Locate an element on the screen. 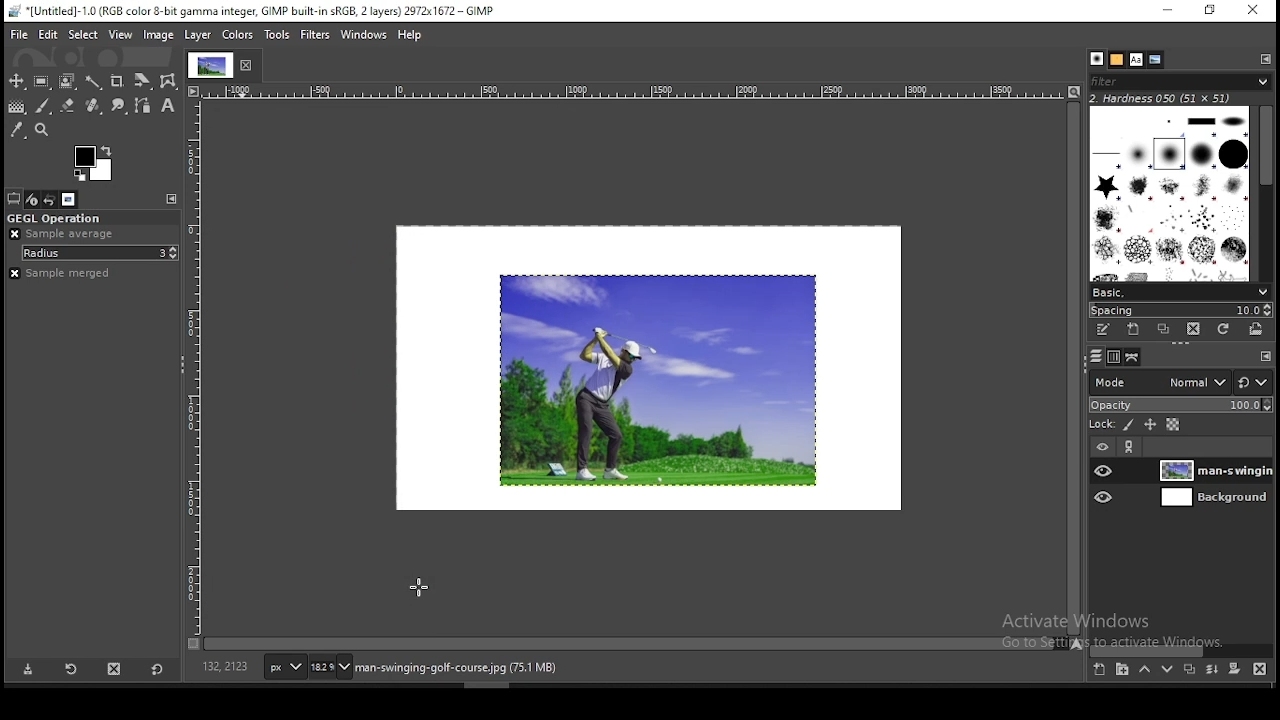  eraser tool is located at coordinates (95, 107).